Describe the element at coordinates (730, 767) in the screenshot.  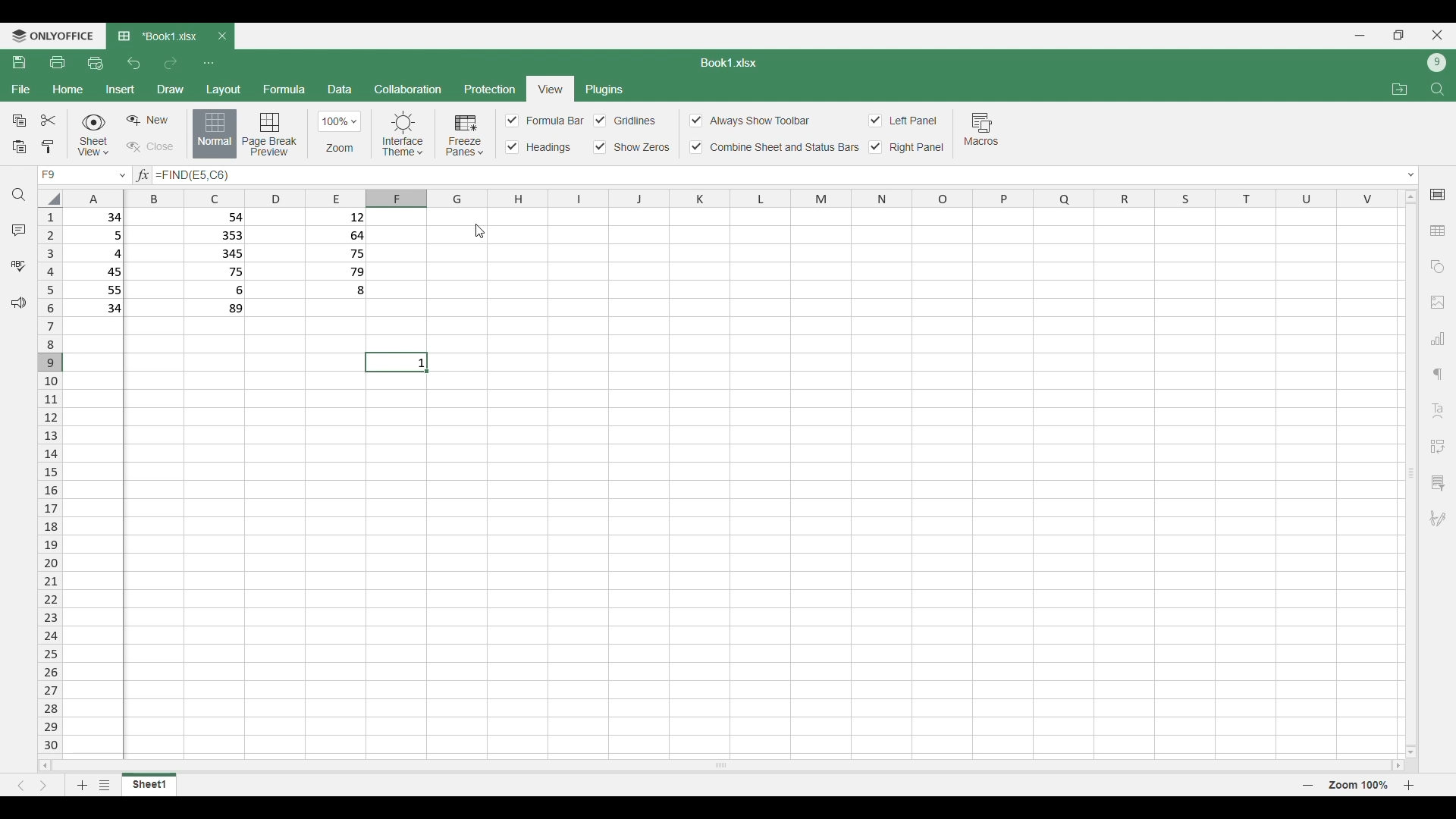
I see `Horizontal slide bar` at that location.